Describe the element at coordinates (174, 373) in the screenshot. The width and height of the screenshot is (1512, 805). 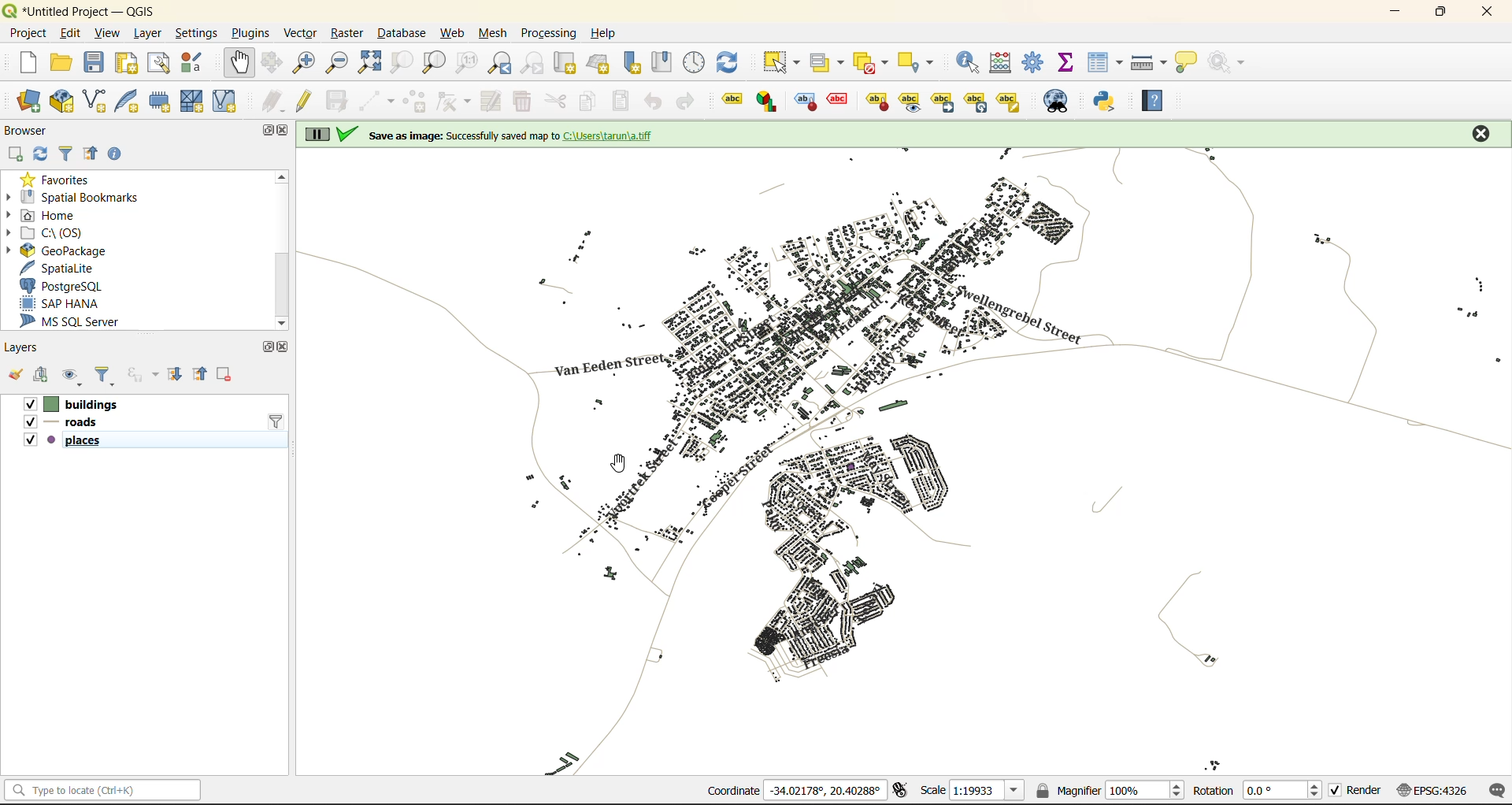
I see `expand all` at that location.